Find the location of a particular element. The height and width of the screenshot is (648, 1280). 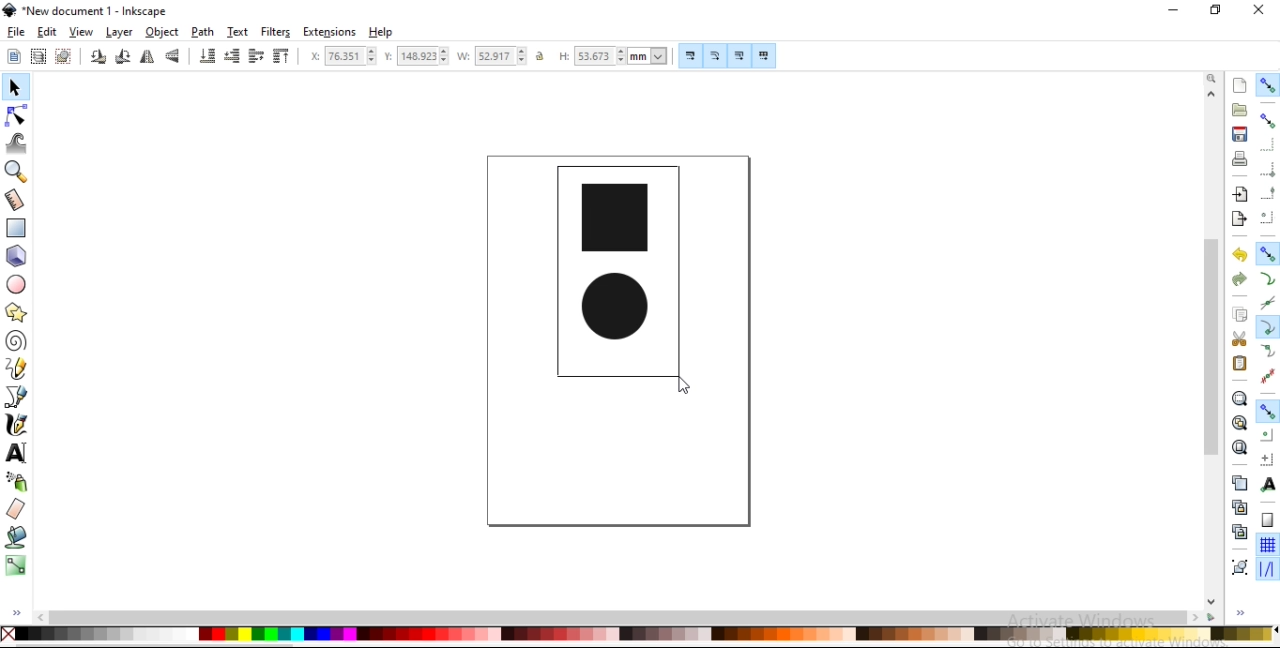

copy is located at coordinates (1241, 316).